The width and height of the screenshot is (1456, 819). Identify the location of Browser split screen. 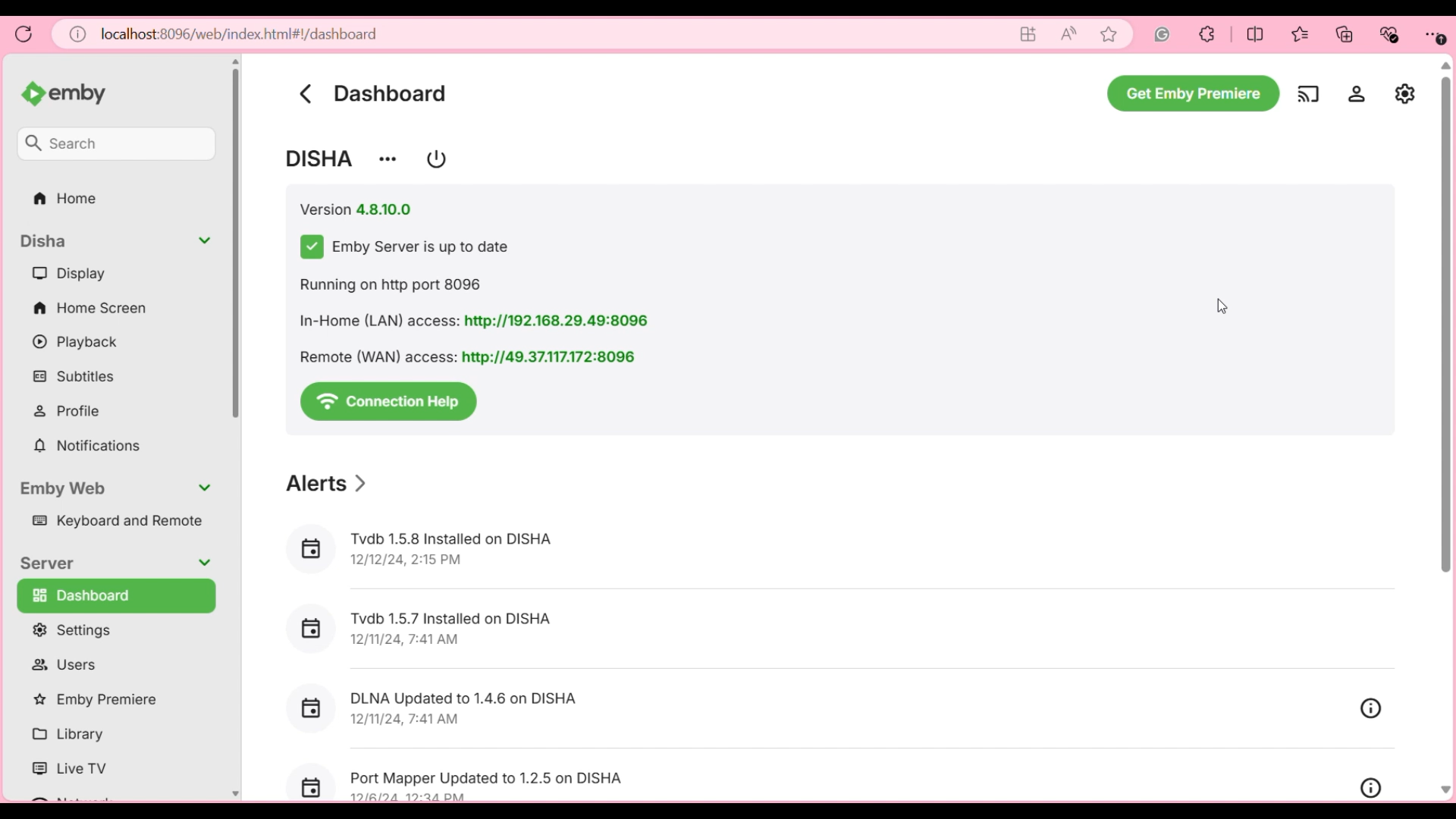
(1256, 34).